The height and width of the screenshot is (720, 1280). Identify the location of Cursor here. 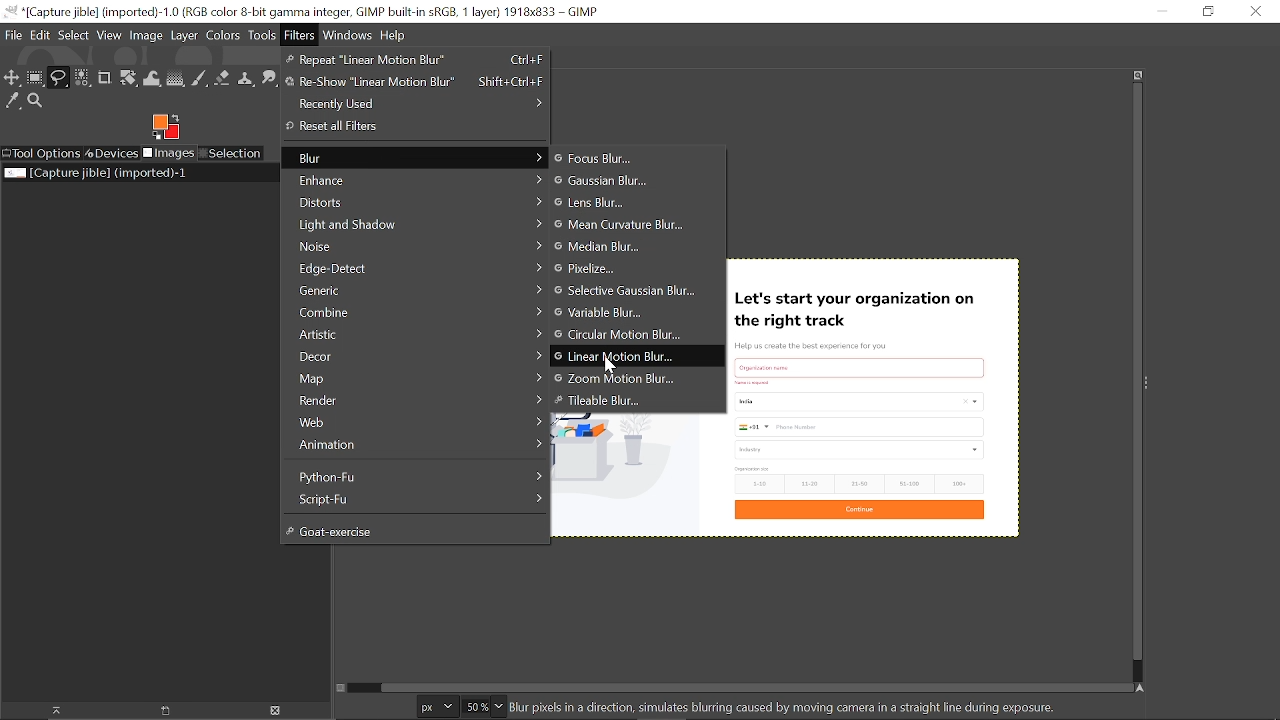
(608, 367).